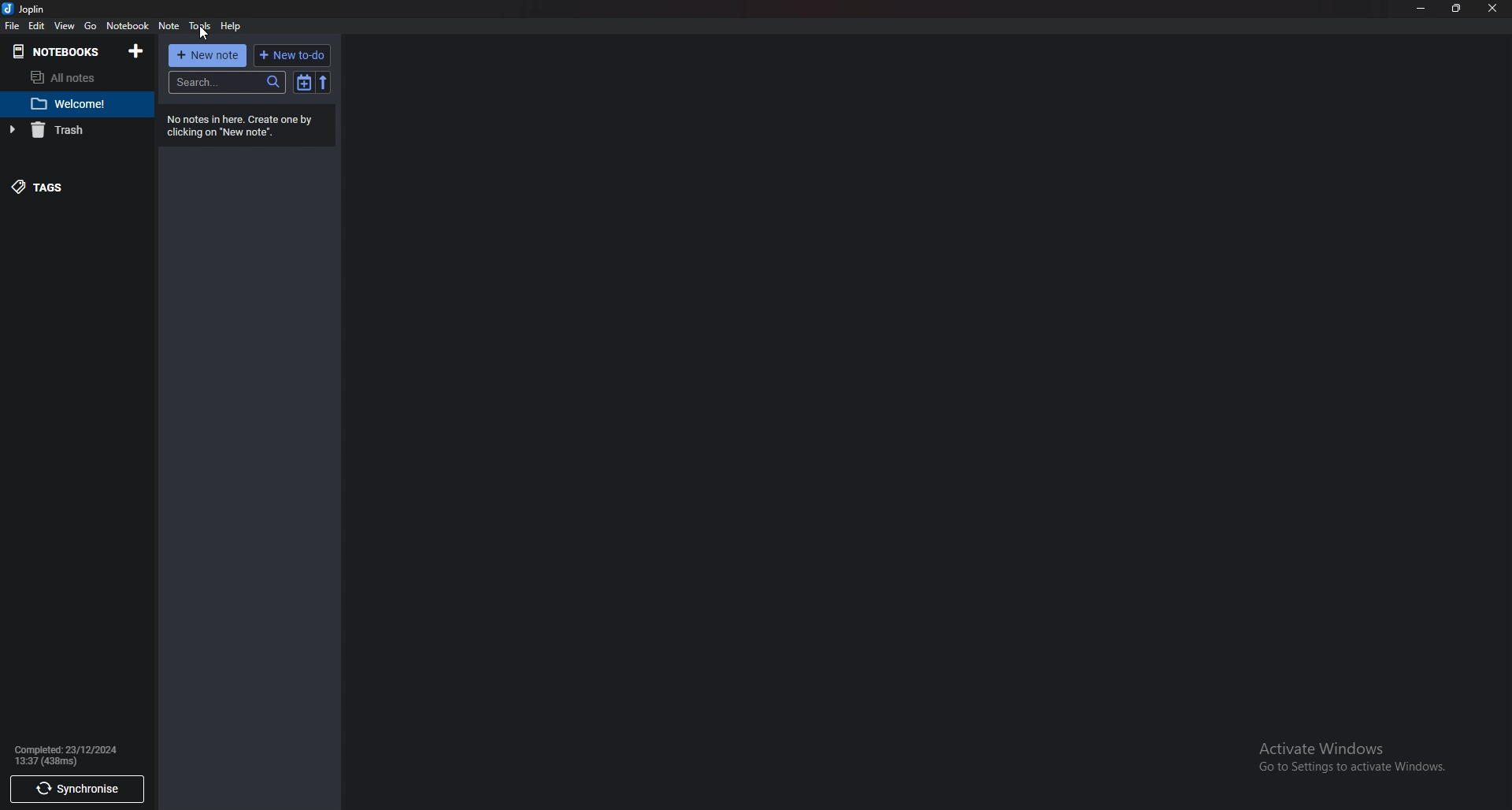 Image resolution: width=1512 pixels, height=810 pixels. I want to click on Welcome, so click(71, 104).